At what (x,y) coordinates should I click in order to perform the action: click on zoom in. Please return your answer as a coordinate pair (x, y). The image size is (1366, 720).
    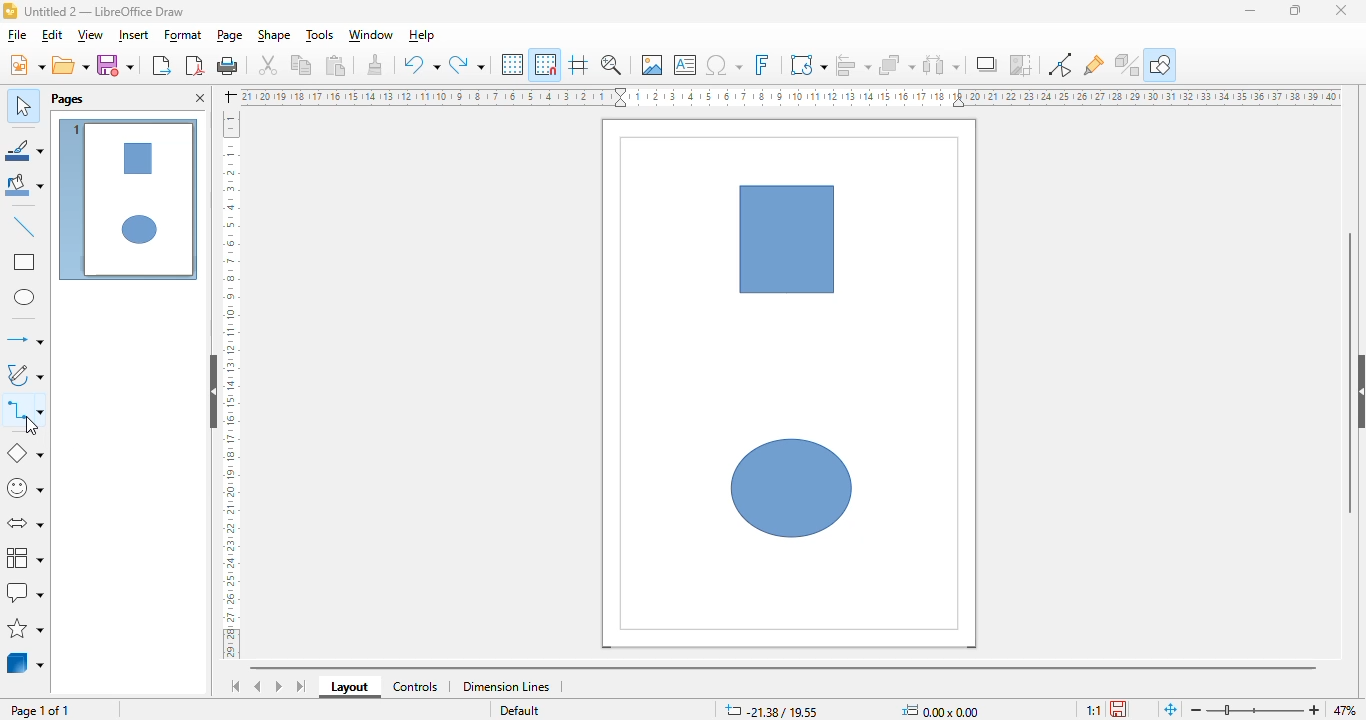
    Looking at the image, I should click on (1311, 710).